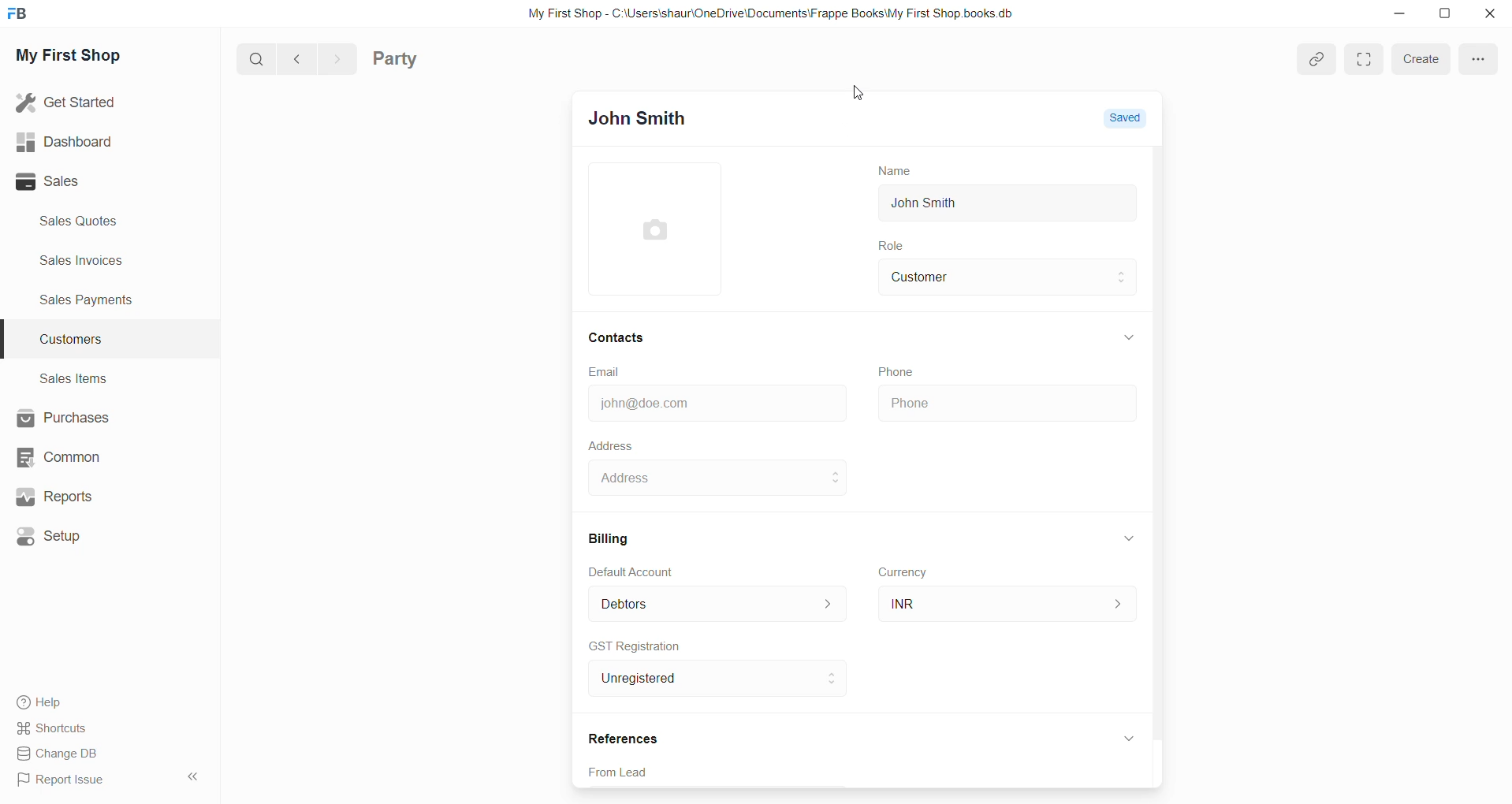 This screenshot has height=804, width=1512. What do you see at coordinates (627, 736) in the screenshot?
I see `References` at bounding box center [627, 736].